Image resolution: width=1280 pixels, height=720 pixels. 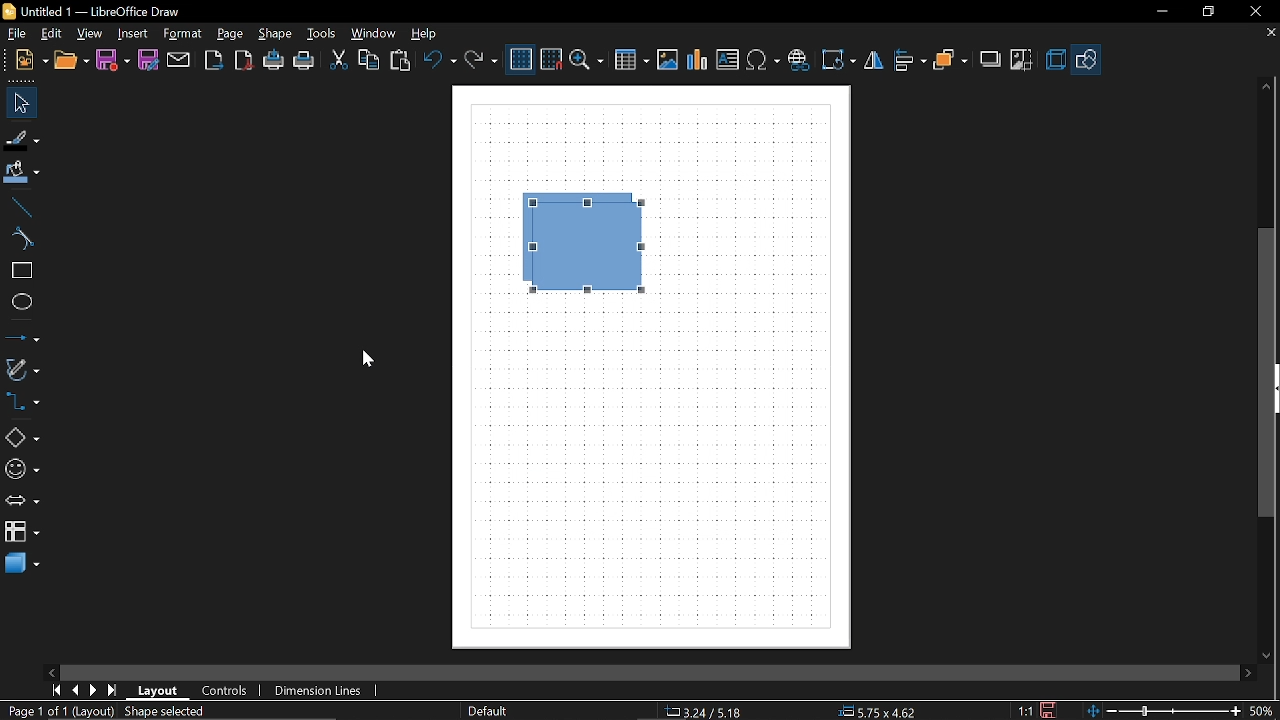 I want to click on Arrange, so click(x=950, y=62).